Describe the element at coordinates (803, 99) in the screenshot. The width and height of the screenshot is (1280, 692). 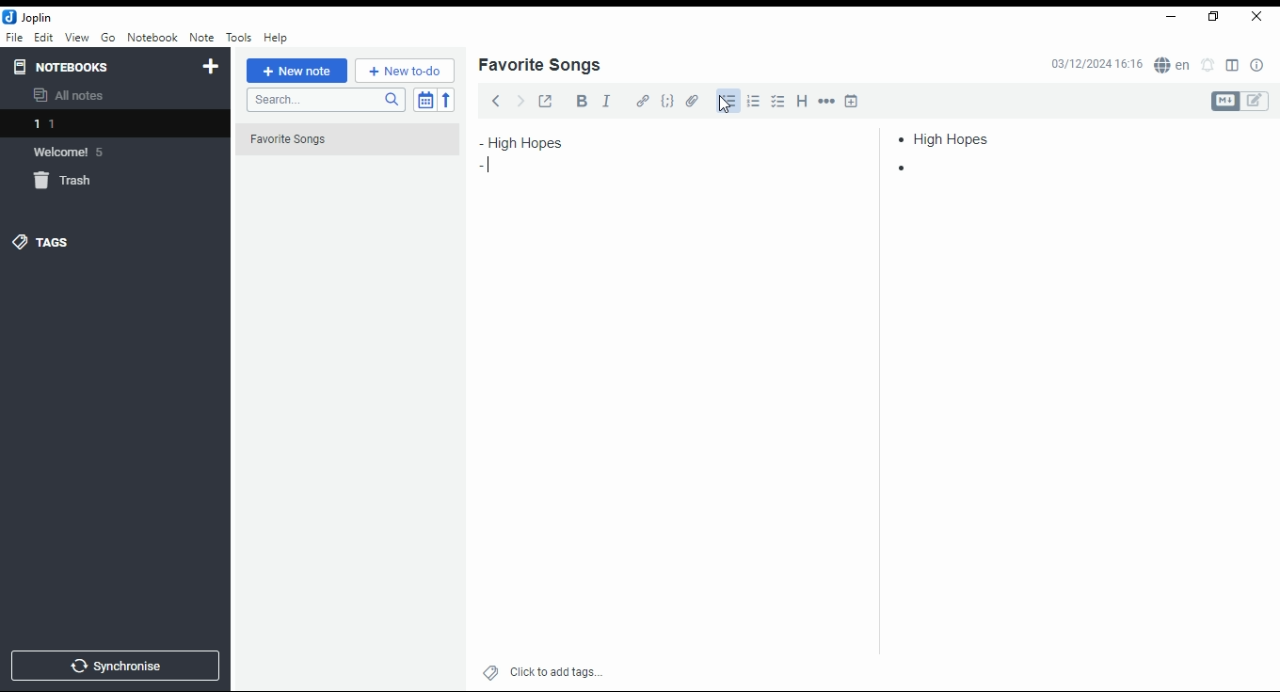
I see `heading` at that location.